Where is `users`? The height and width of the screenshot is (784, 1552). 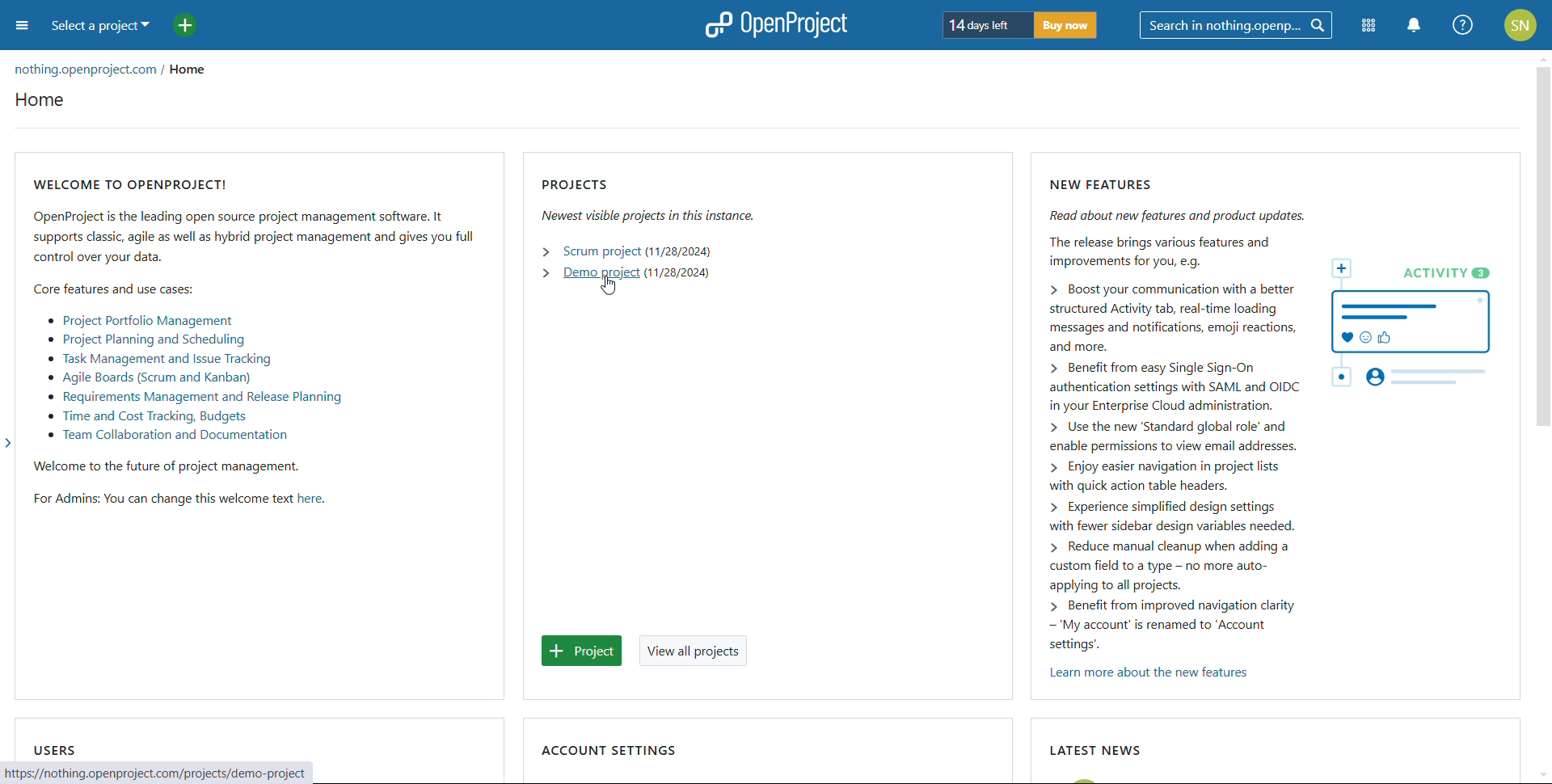
users is located at coordinates (55, 750).